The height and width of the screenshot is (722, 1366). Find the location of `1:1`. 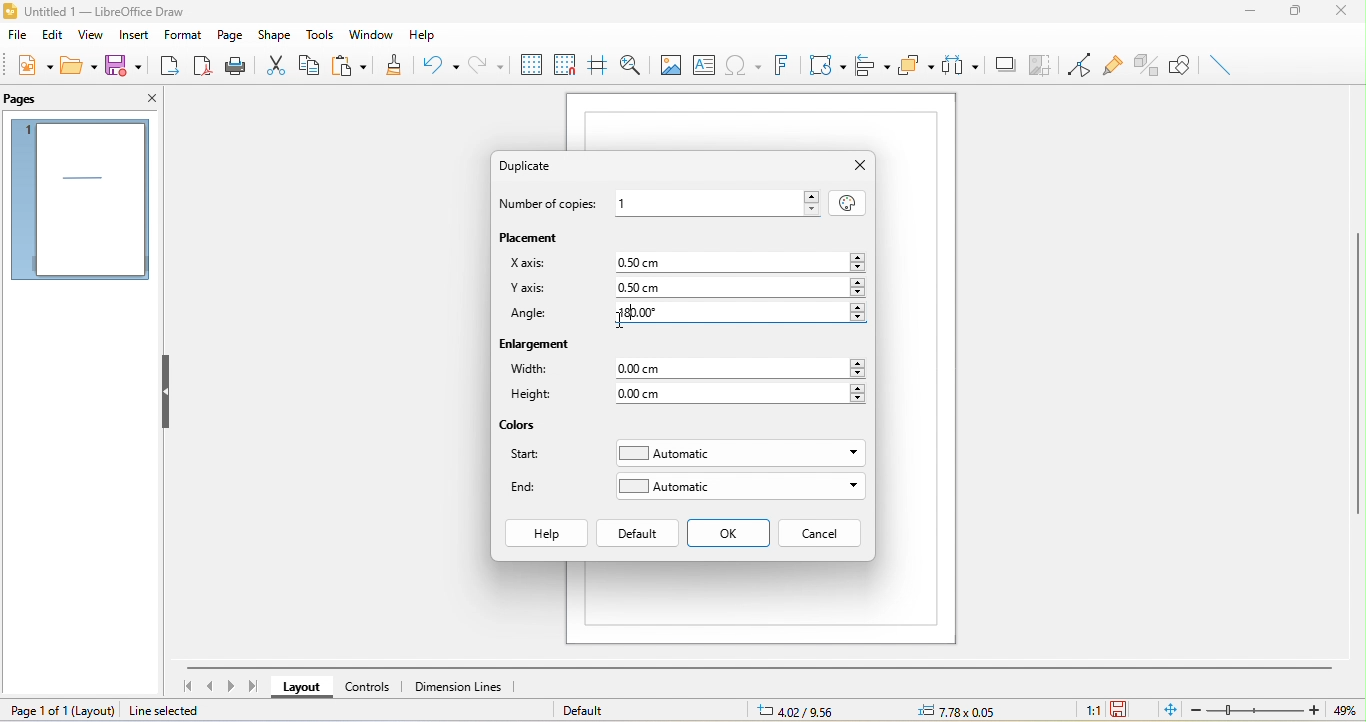

1:1 is located at coordinates (1087, 711).